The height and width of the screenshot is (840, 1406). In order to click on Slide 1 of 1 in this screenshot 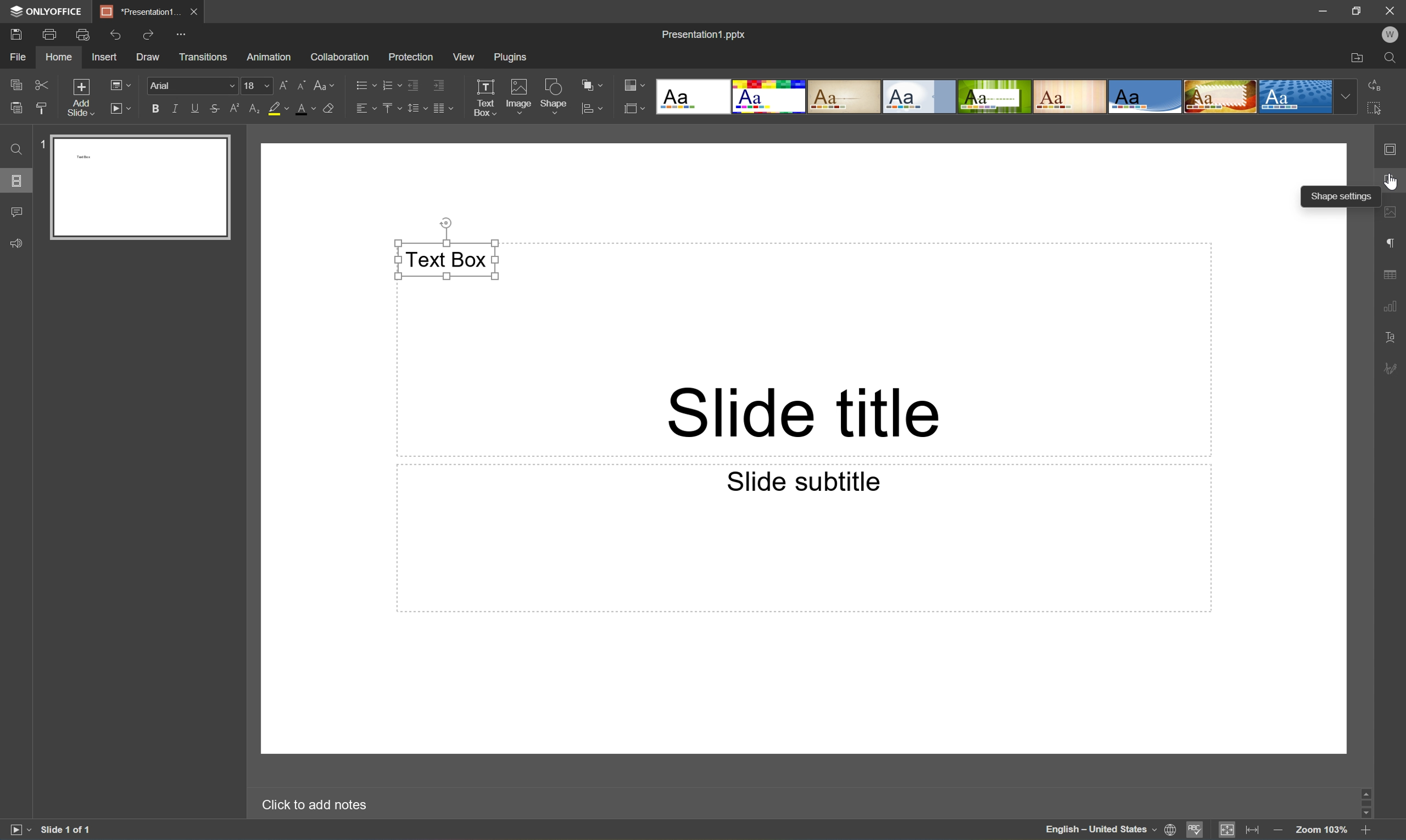, I will do `click(66, 828)`.